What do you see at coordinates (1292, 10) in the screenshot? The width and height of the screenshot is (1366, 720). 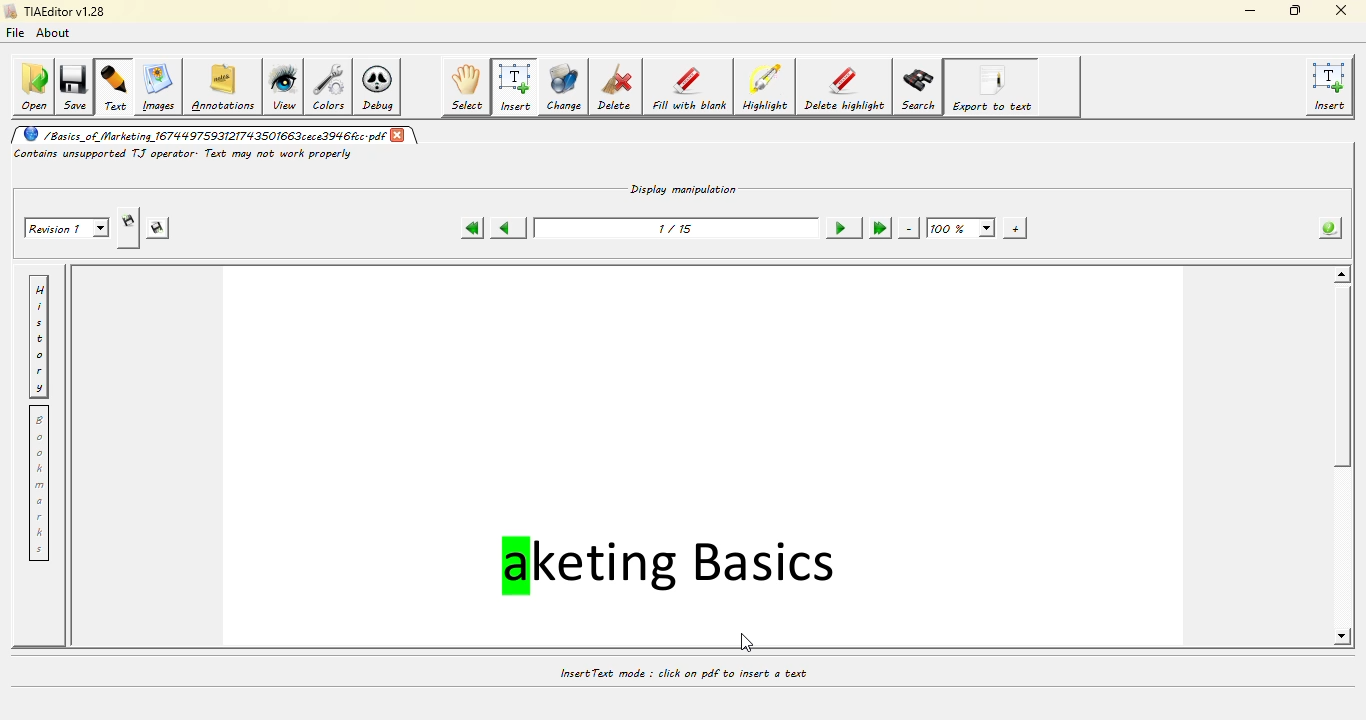 I see `maximize` at bounding box center [1292, 10].